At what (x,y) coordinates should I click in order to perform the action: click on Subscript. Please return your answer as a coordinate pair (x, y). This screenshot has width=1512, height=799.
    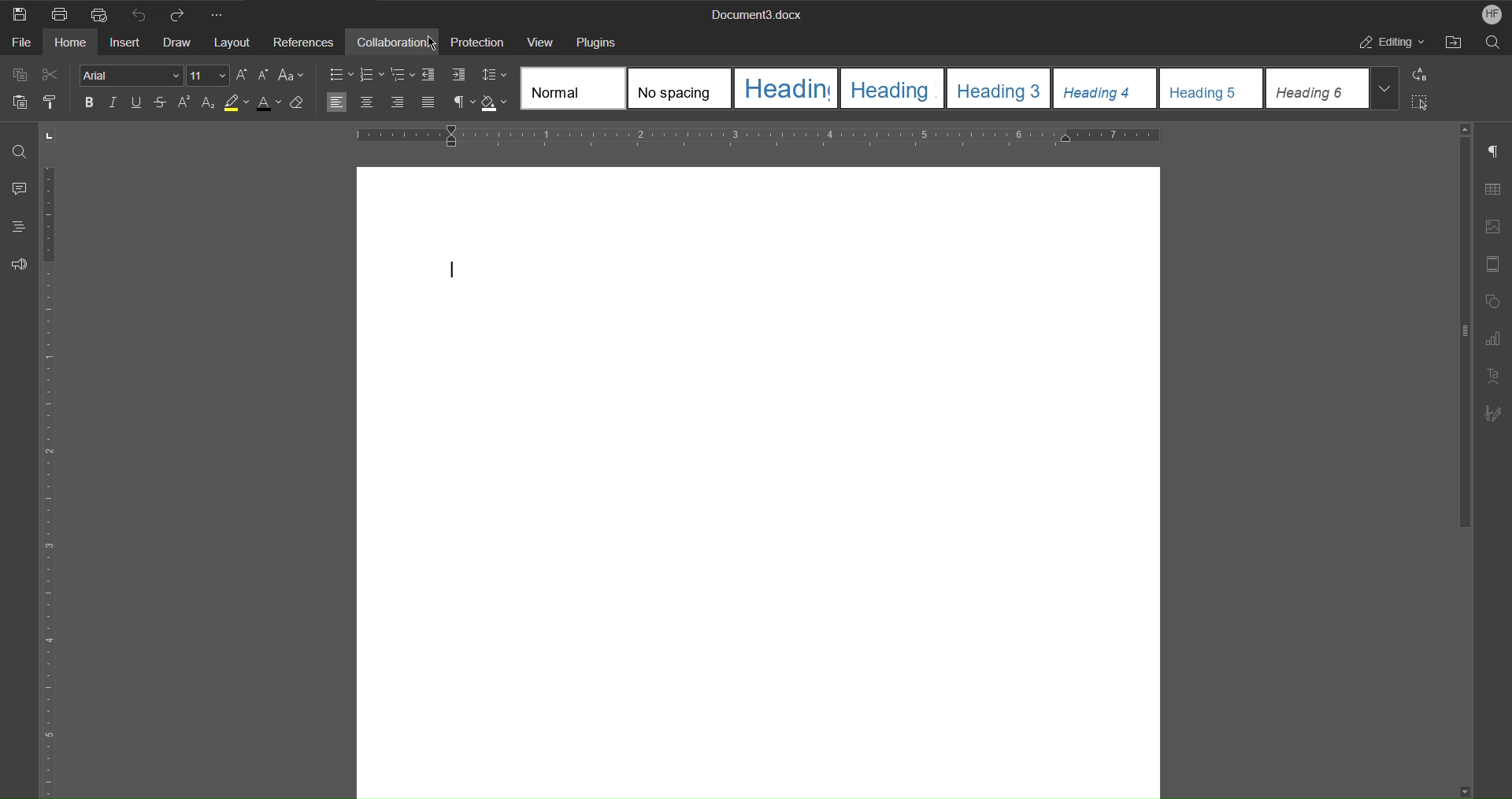
    Looking at the image, I should click on (210, 102).